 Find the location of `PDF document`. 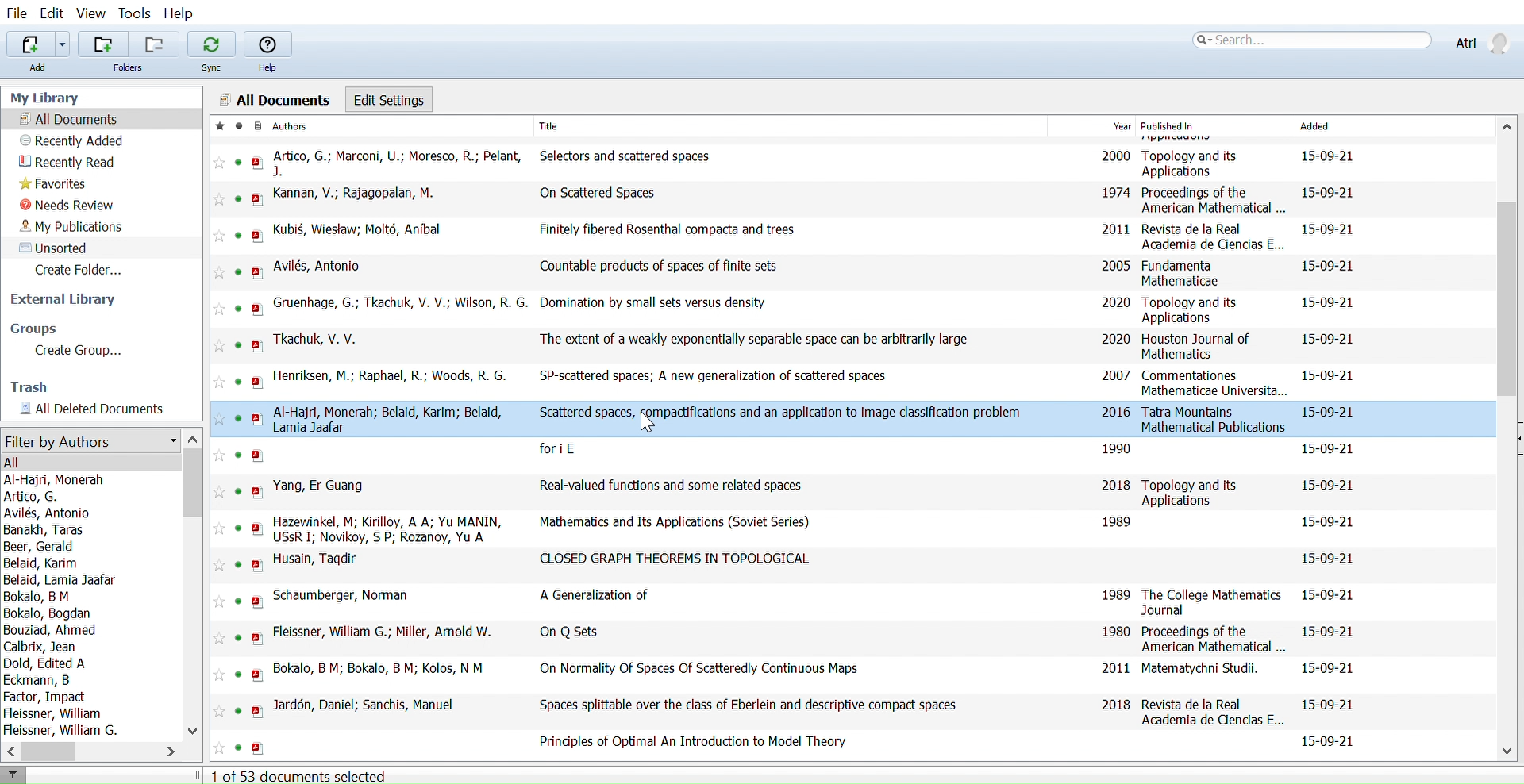

PDF document is located at coordinates (258, 566).